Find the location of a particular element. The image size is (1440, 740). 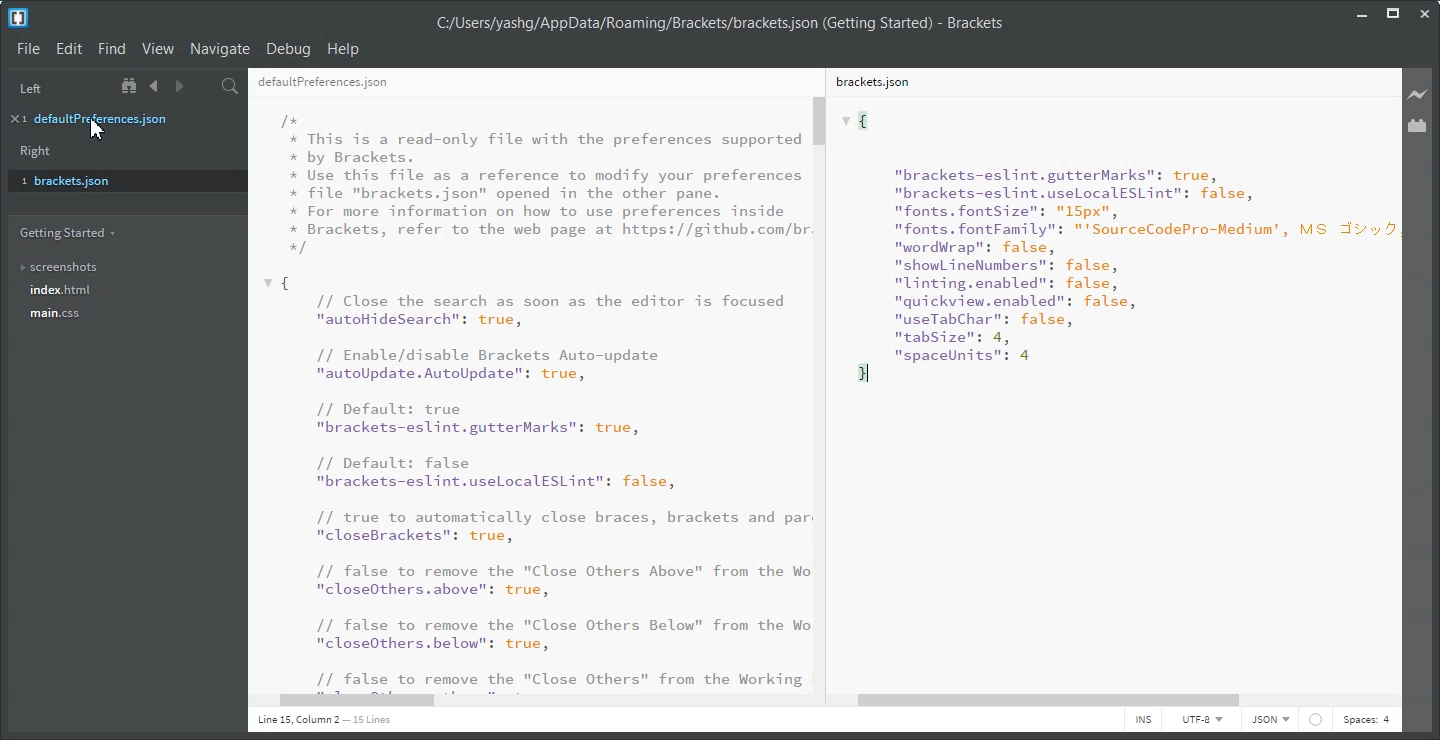

Horizontal Scroll Bar is located at coordinates (526, 701).